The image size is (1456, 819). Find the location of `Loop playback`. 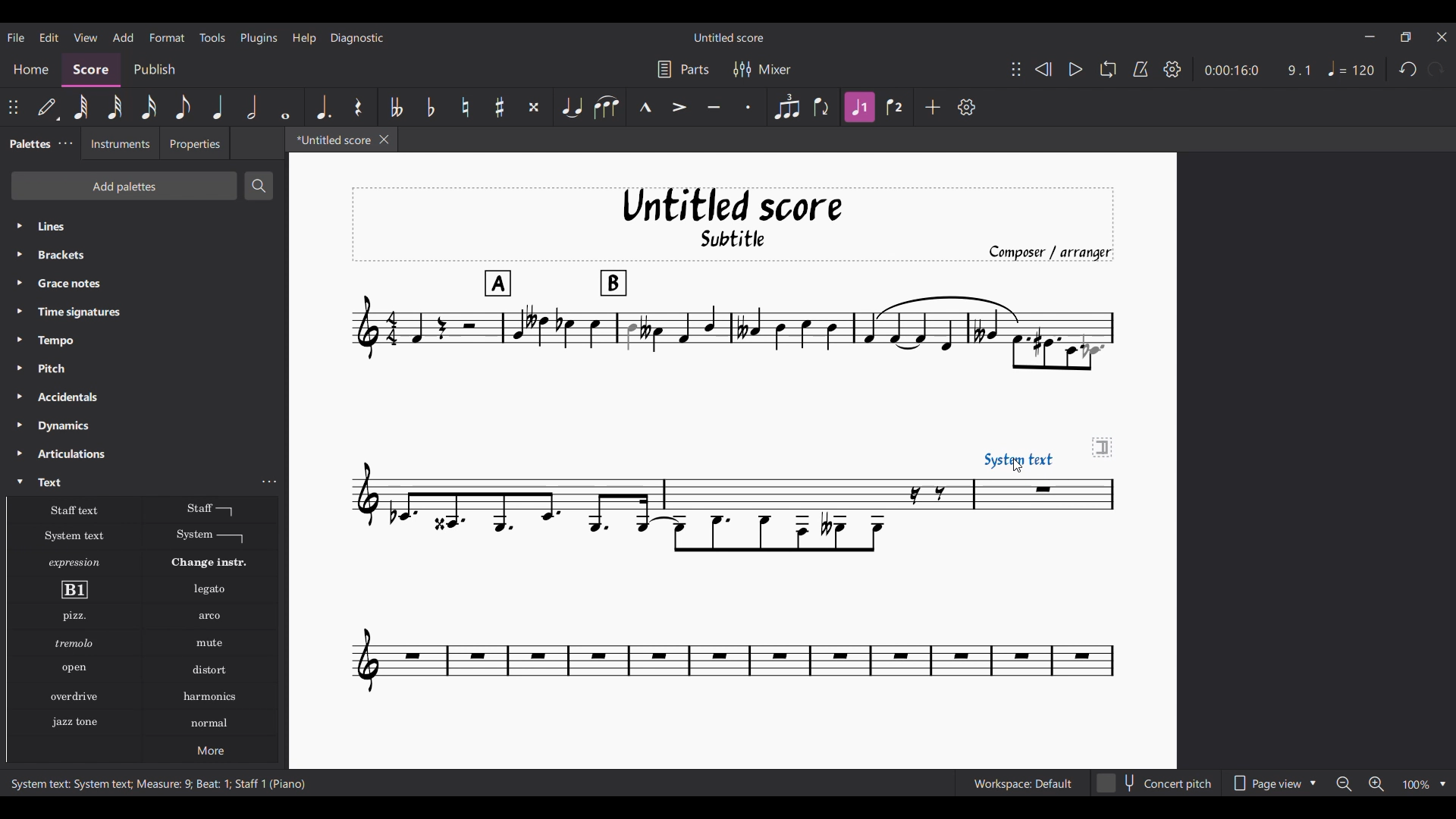

Loop playback is located at coordinates (1108, 69).